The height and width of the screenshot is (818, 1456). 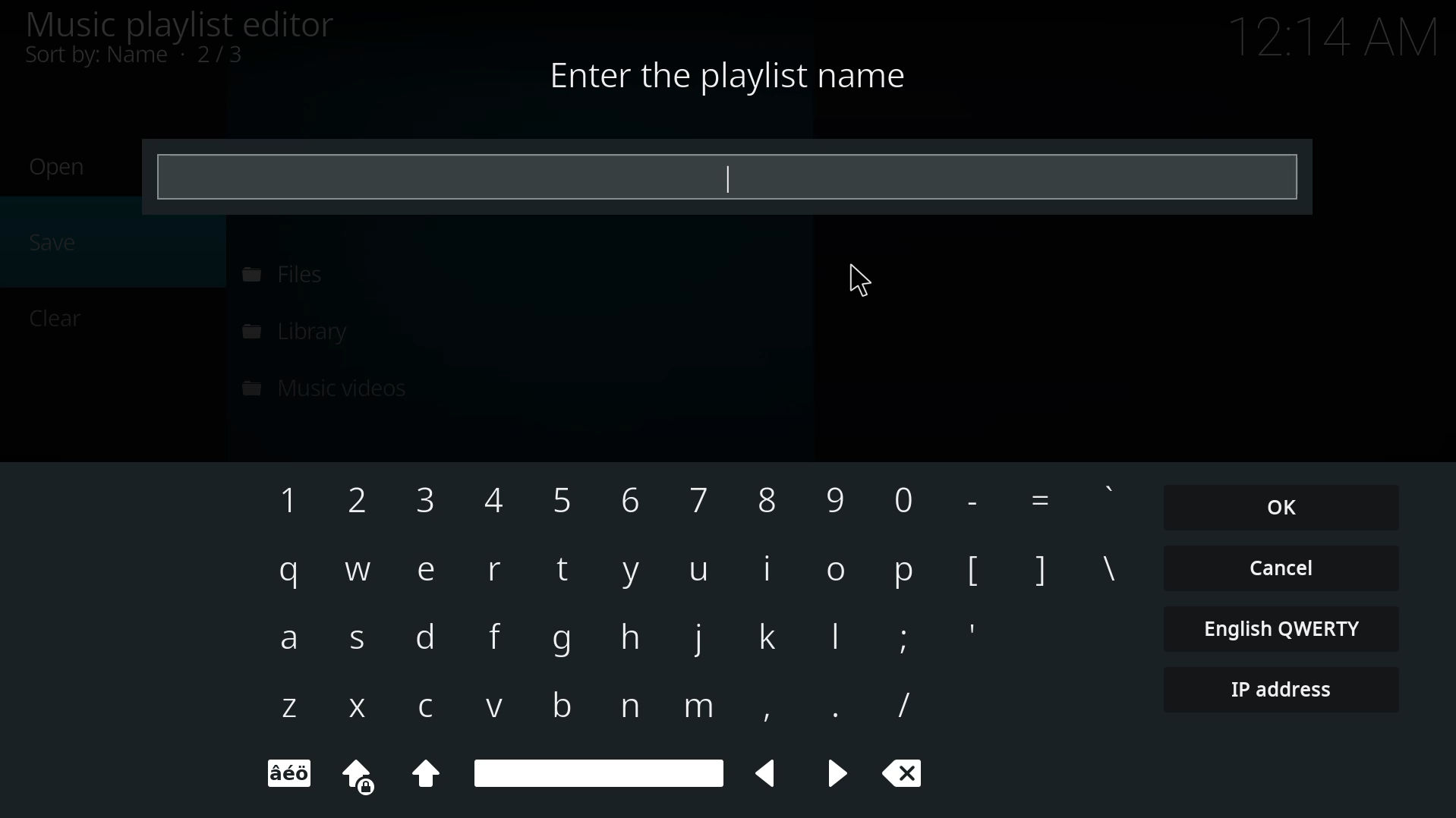 What do you see at coordinates (178, 24) in the screenshot?
I see `editor` at bounding box center [178, 24].